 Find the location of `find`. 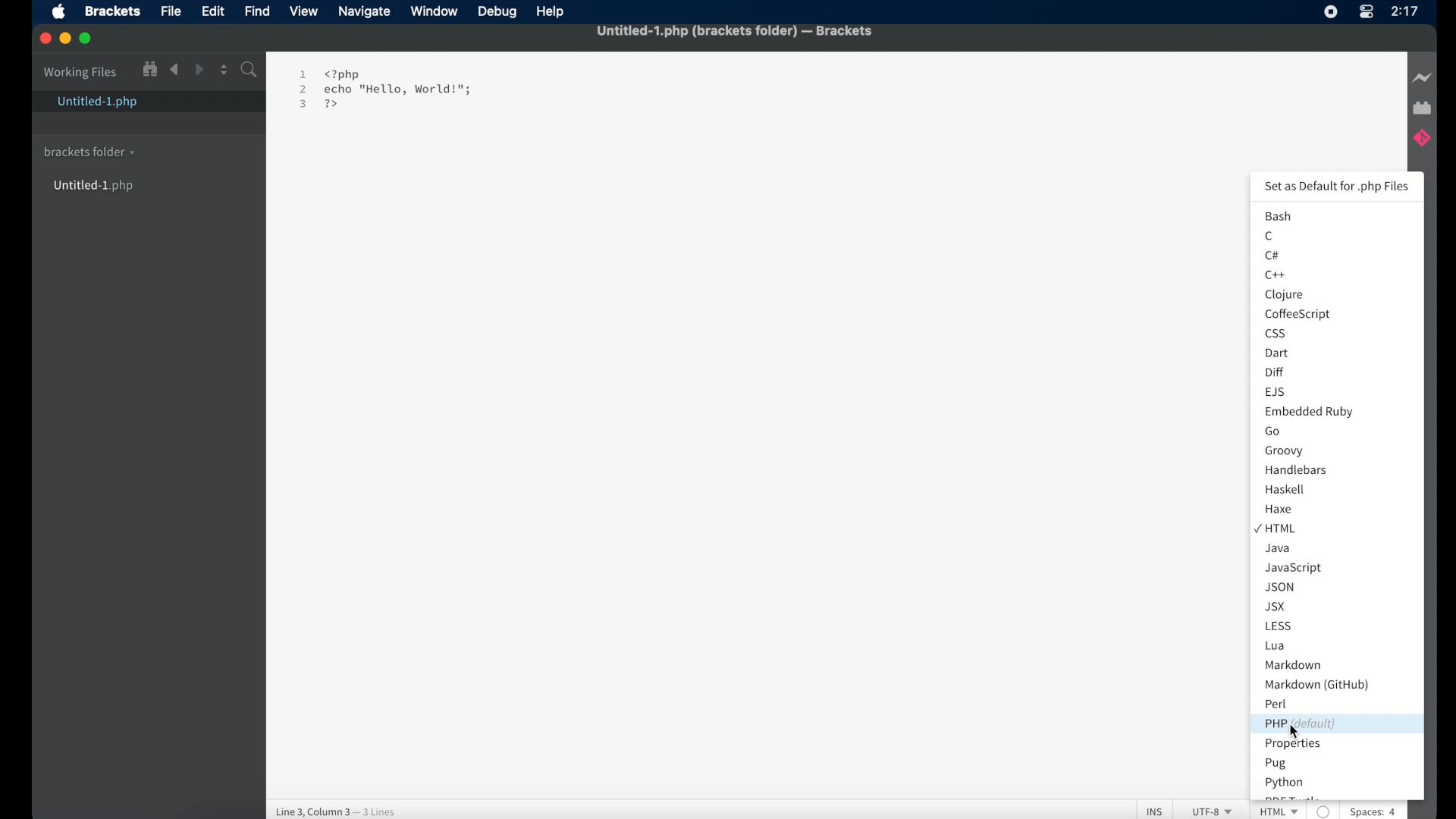

find is located at coordinates (259, 12).